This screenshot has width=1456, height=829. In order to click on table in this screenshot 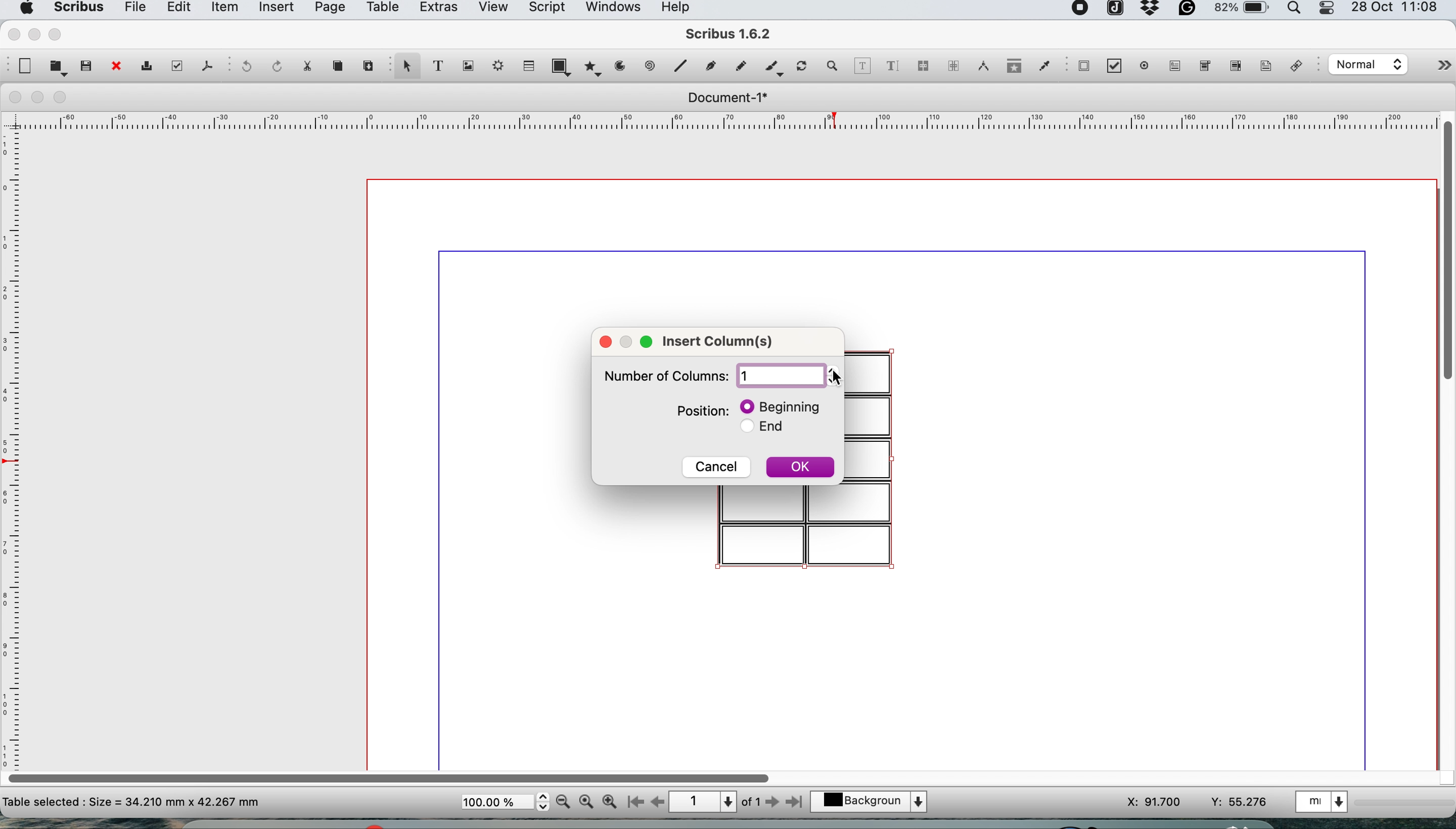, I will do `click(527, 65)`.